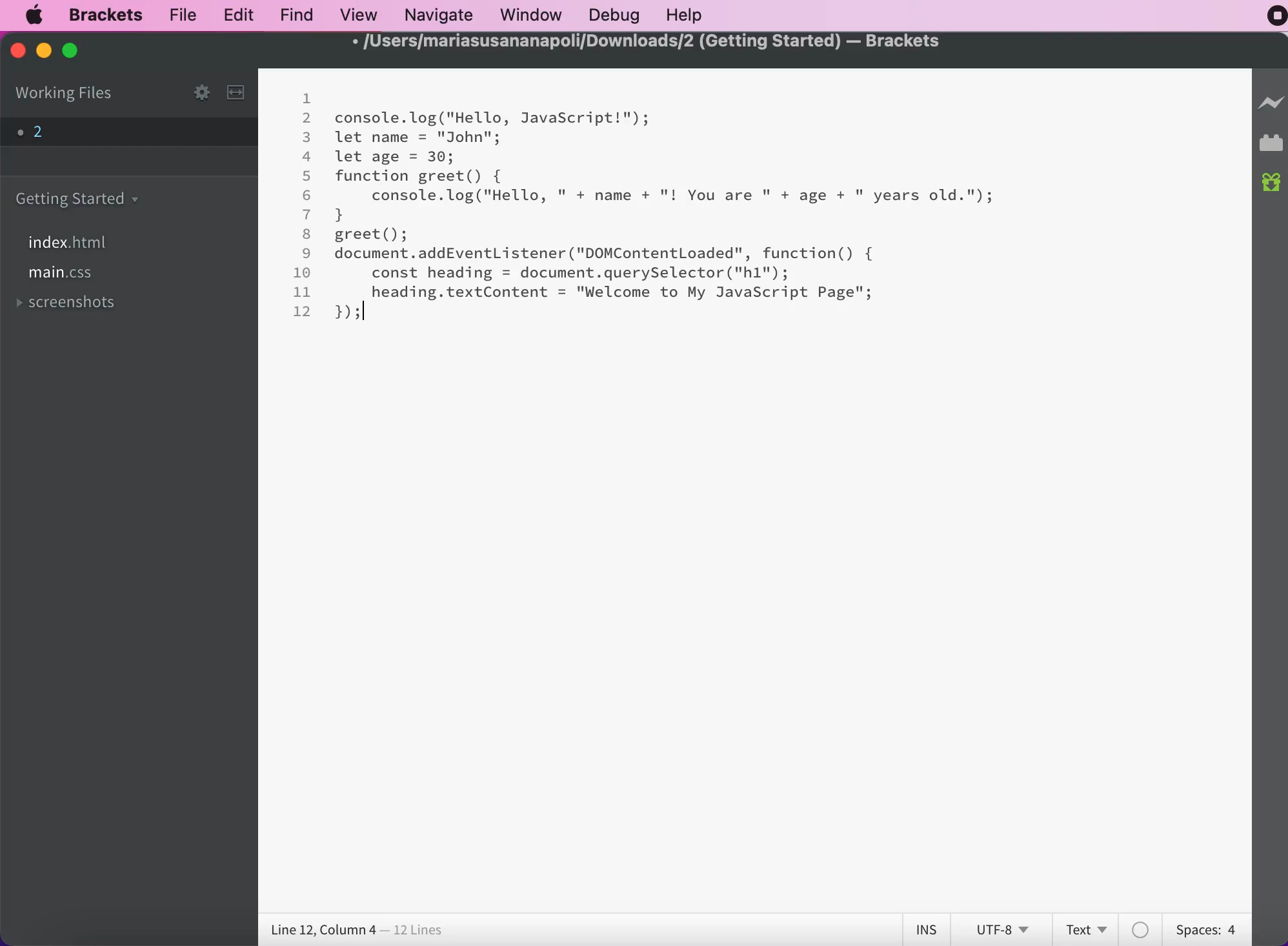  I want to click on getting started folder, so click(84, 197).